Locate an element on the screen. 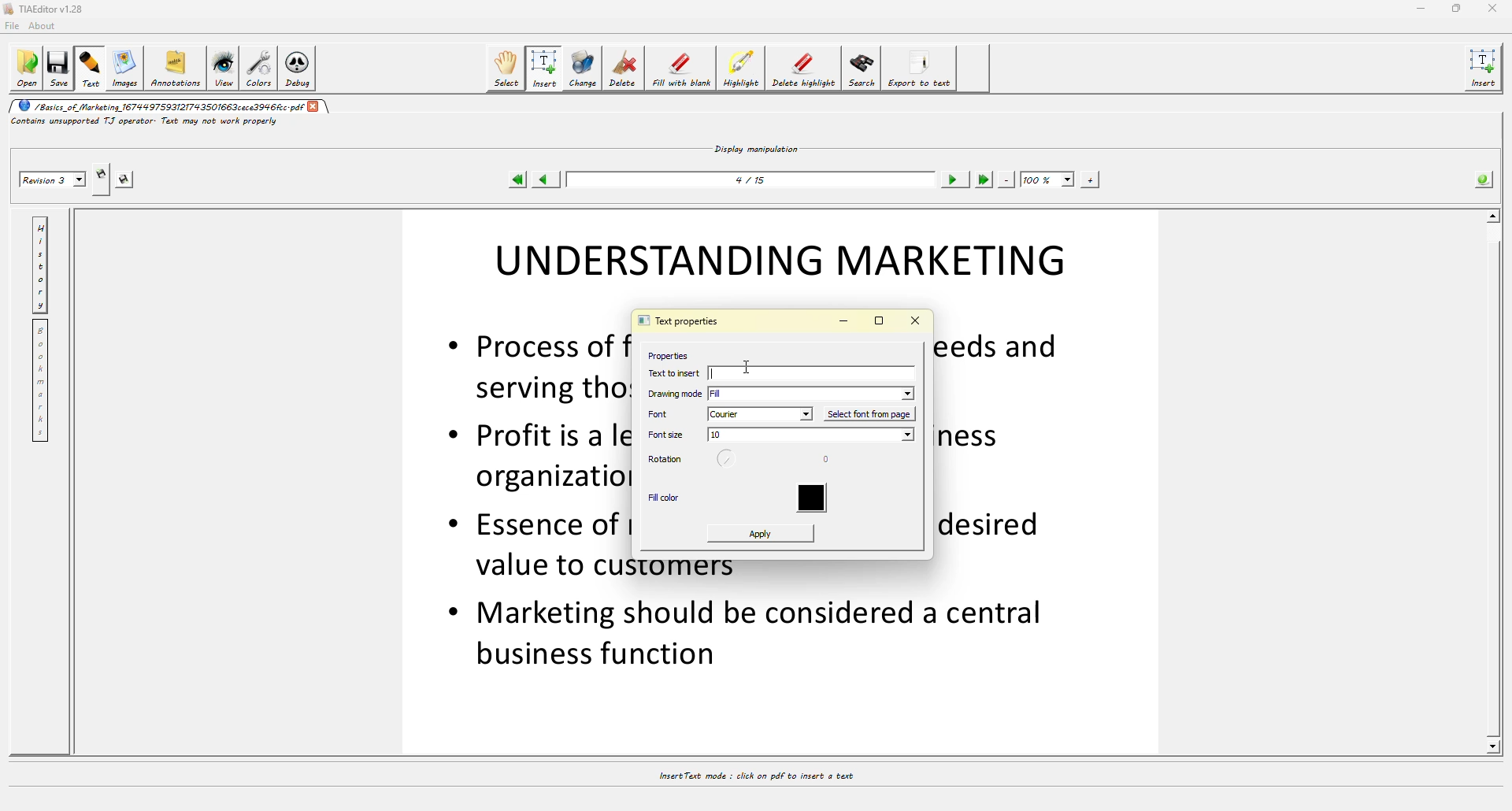 Image resolution: width=1512 pixels, height=811 pixels. text to insert is located at coordinates (673, 373).